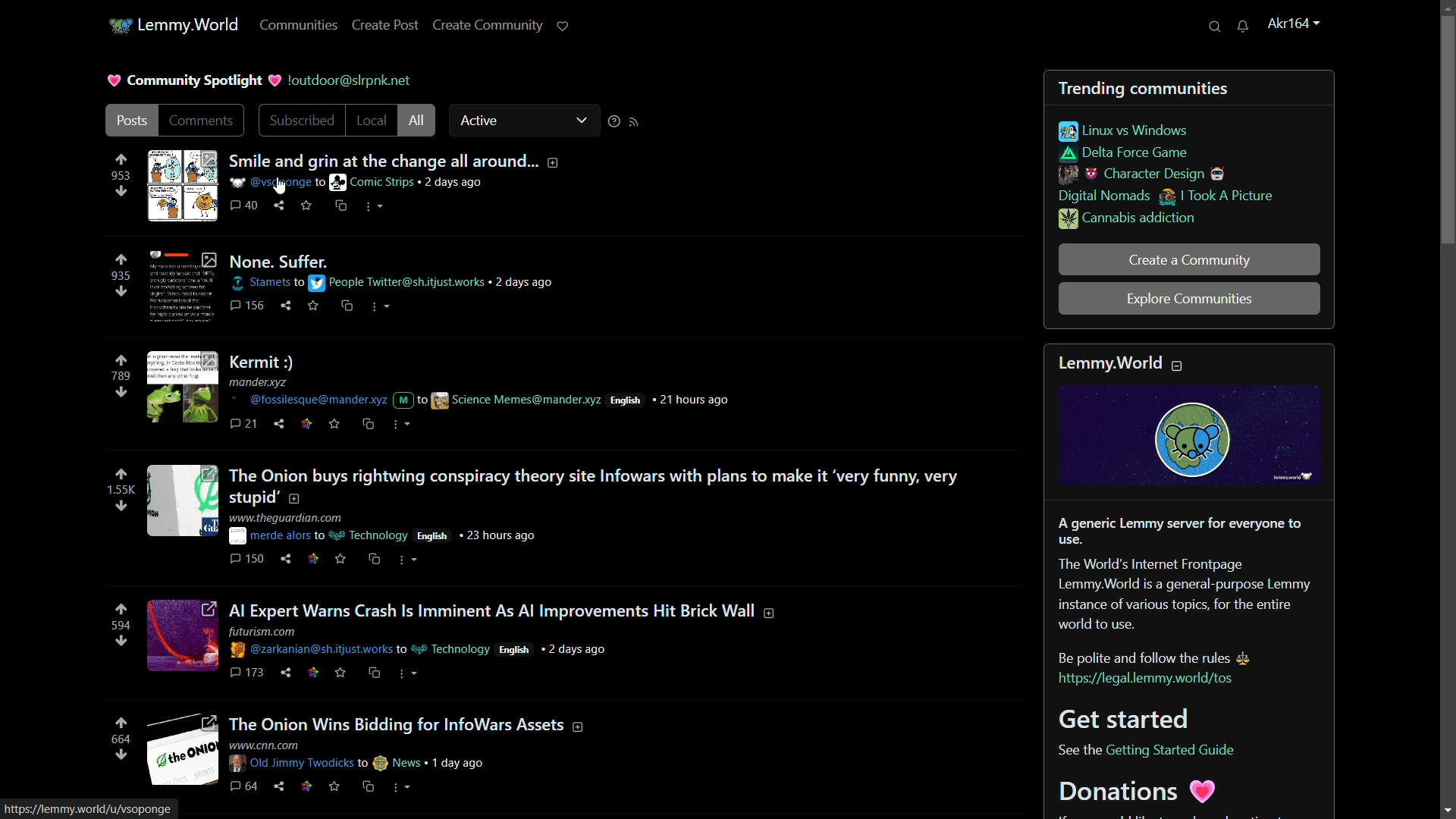 The width and height of the screenshot is (1456, 819). What do you see at coordinates (491, 395) in the screenshot?
I see `post details` at bounding box center [491, 395].